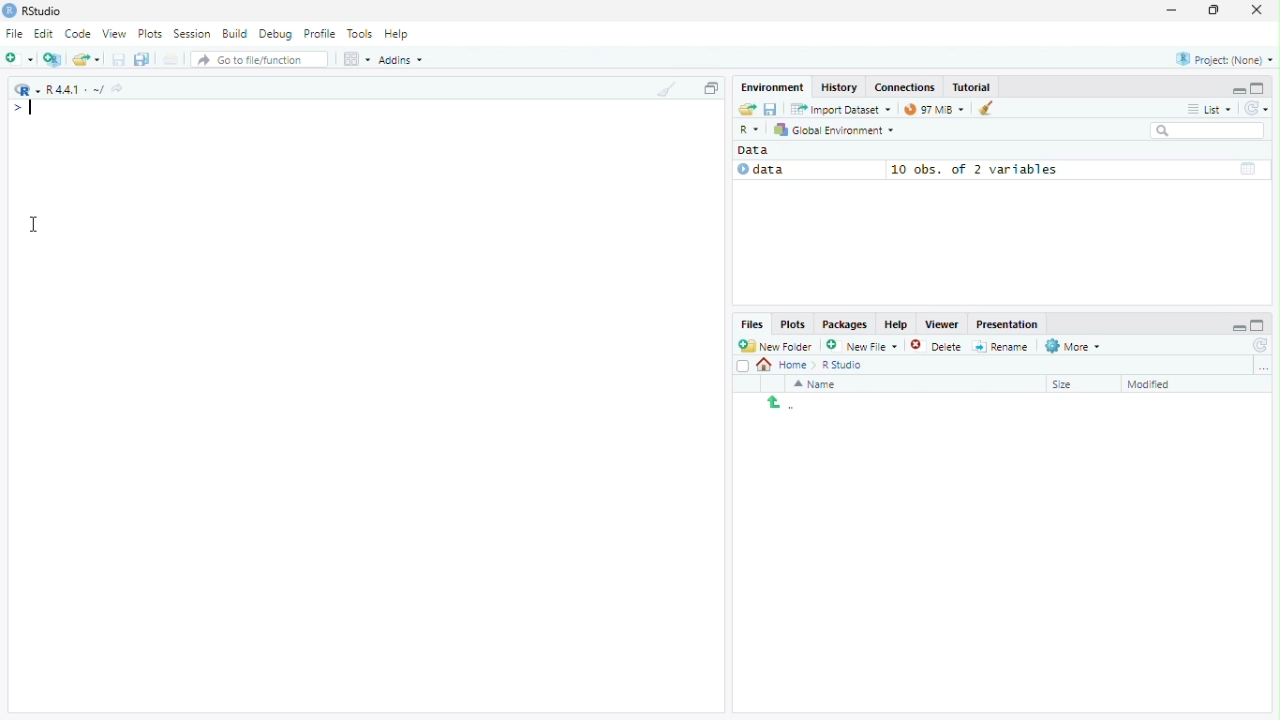  I want to click on Sort by name, so click(821, 384).